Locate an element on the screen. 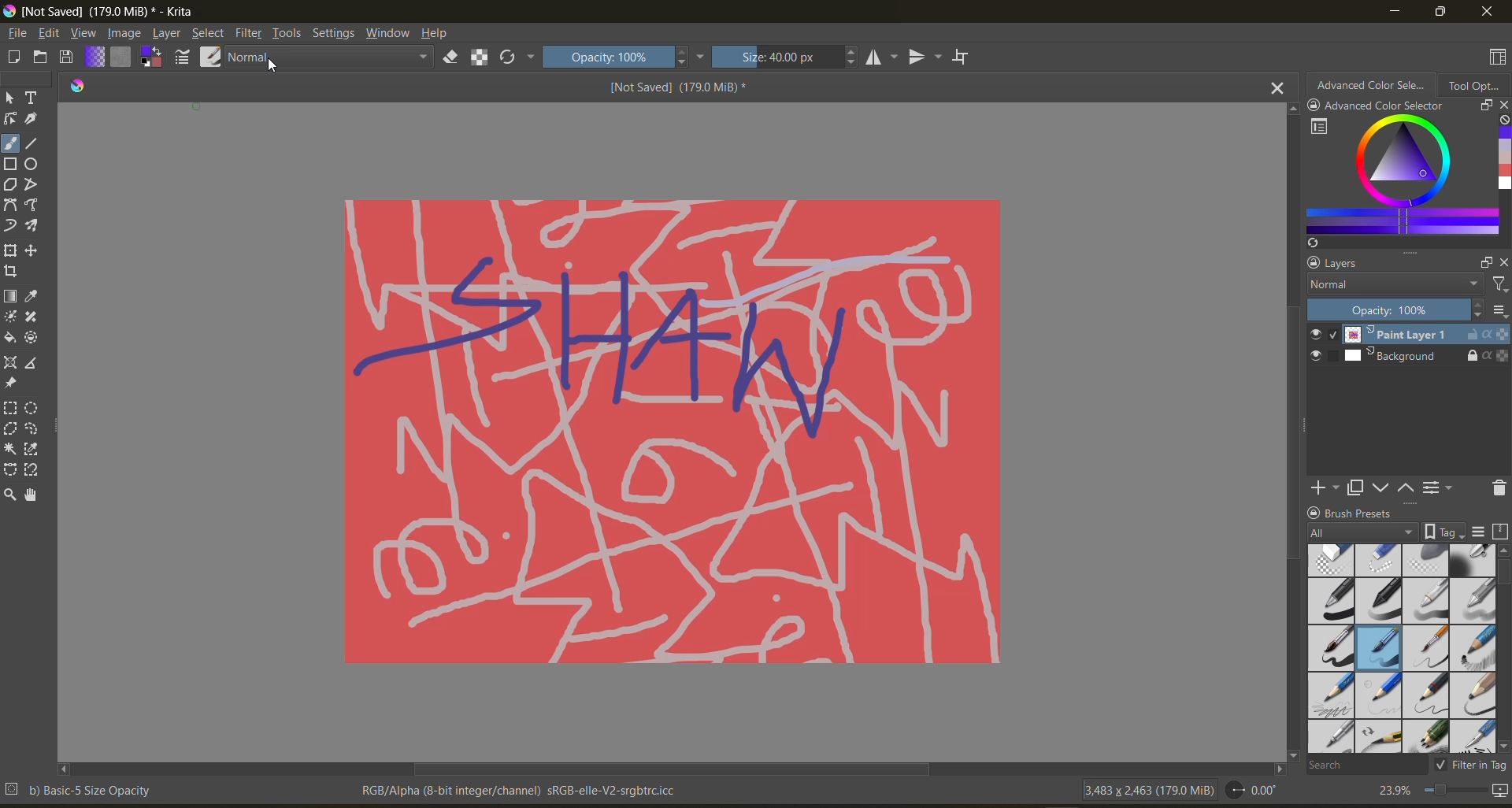 Image resolution: width=1512 pixels, height=808 pixels. Size: 40.00 px is located at coordinates (787, 57).